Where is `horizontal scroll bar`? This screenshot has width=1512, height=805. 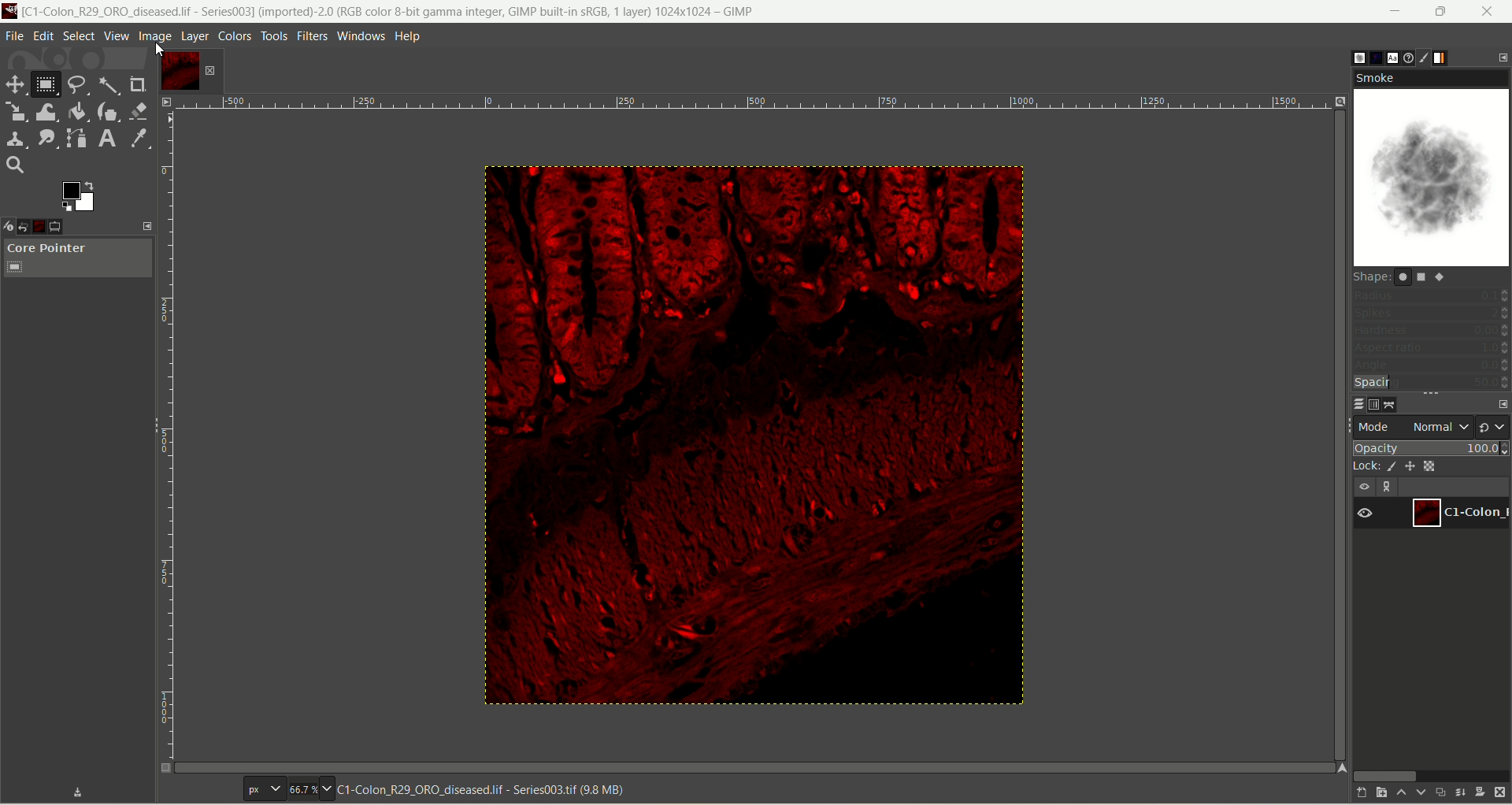
horizontal scroll bar is located at coordinates (1431, 775).